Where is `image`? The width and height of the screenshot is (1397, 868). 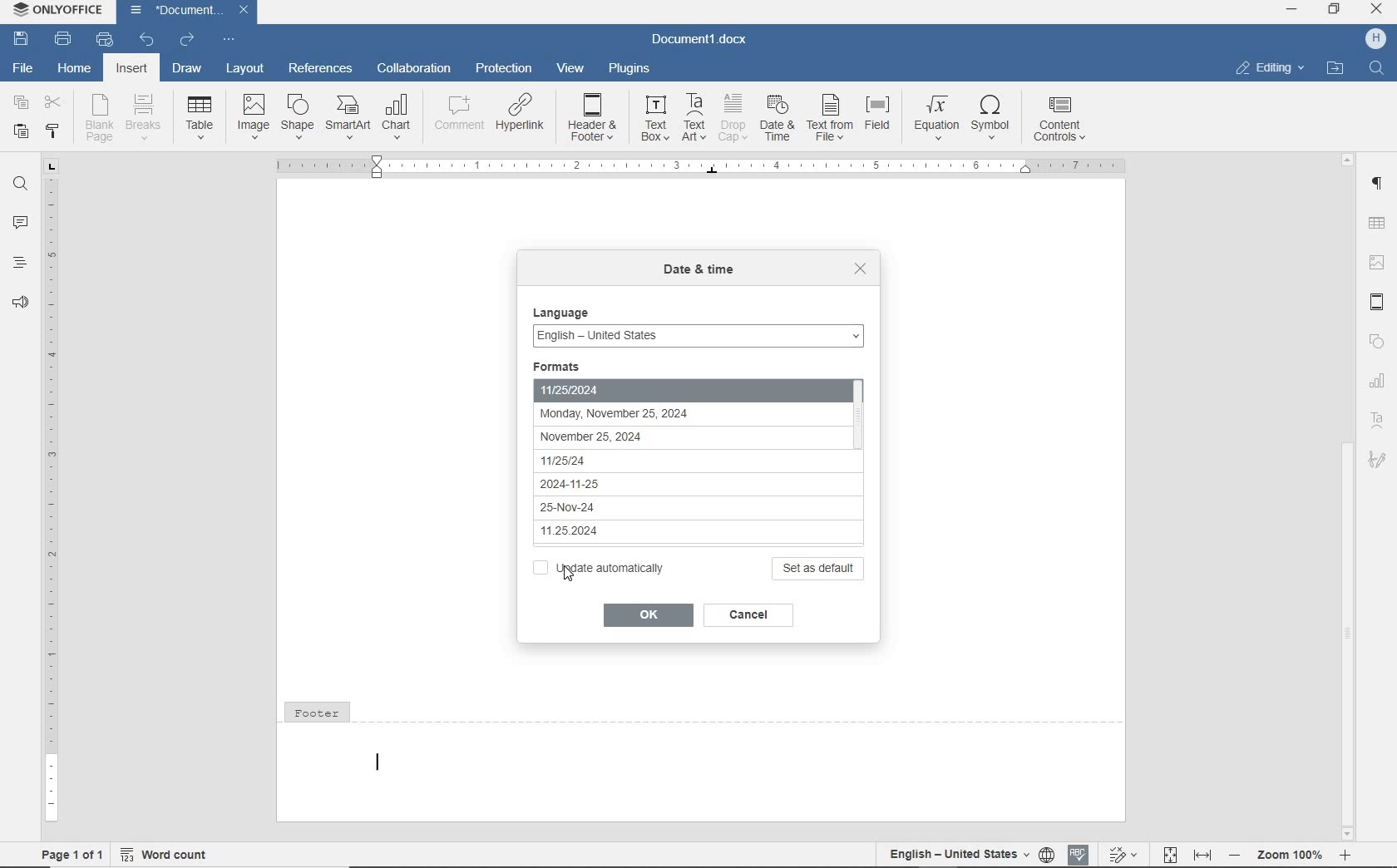
image is located at coordinates (254, 116).